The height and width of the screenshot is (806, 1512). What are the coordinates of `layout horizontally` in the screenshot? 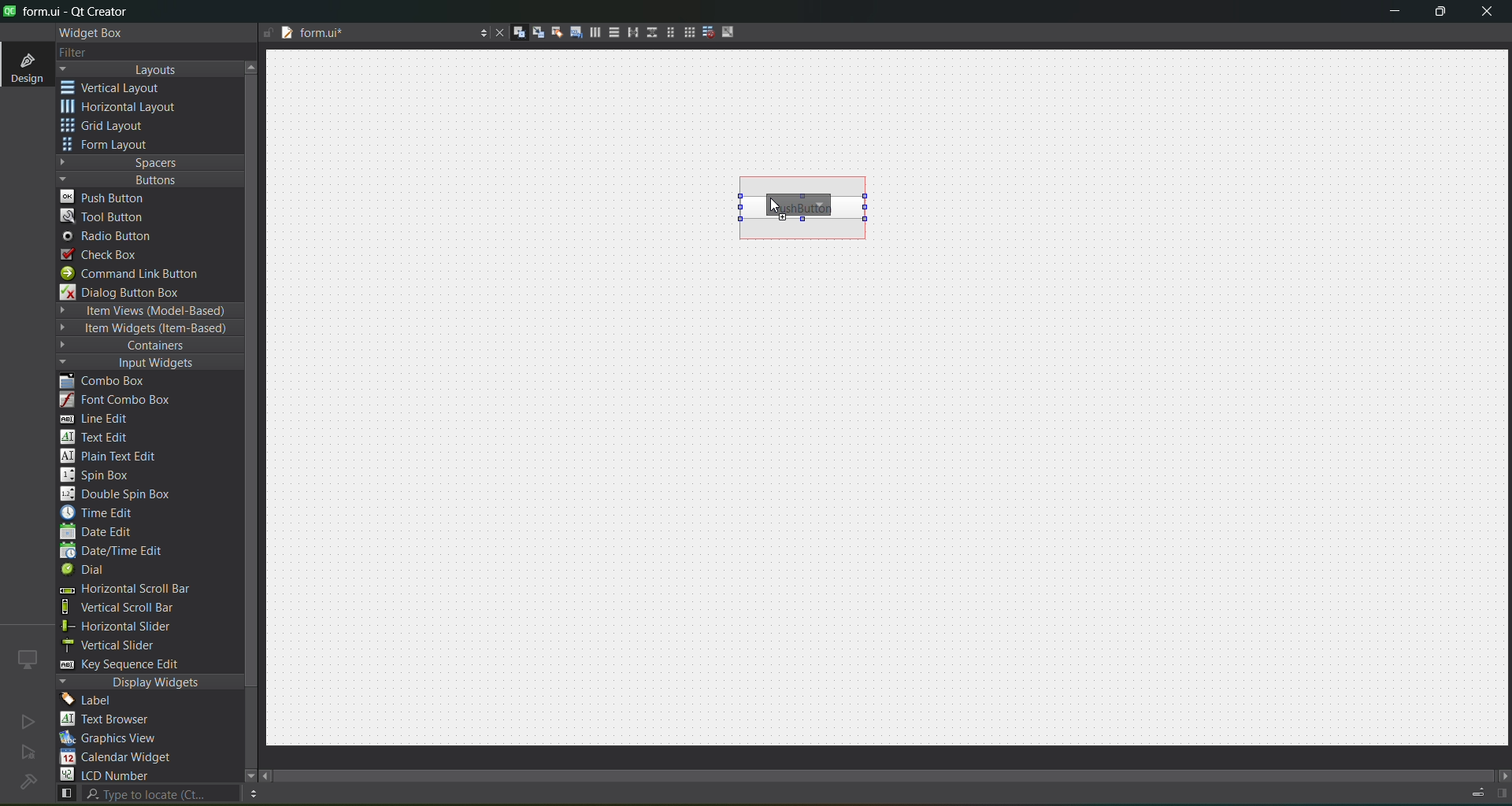 It's located at (590, 35).